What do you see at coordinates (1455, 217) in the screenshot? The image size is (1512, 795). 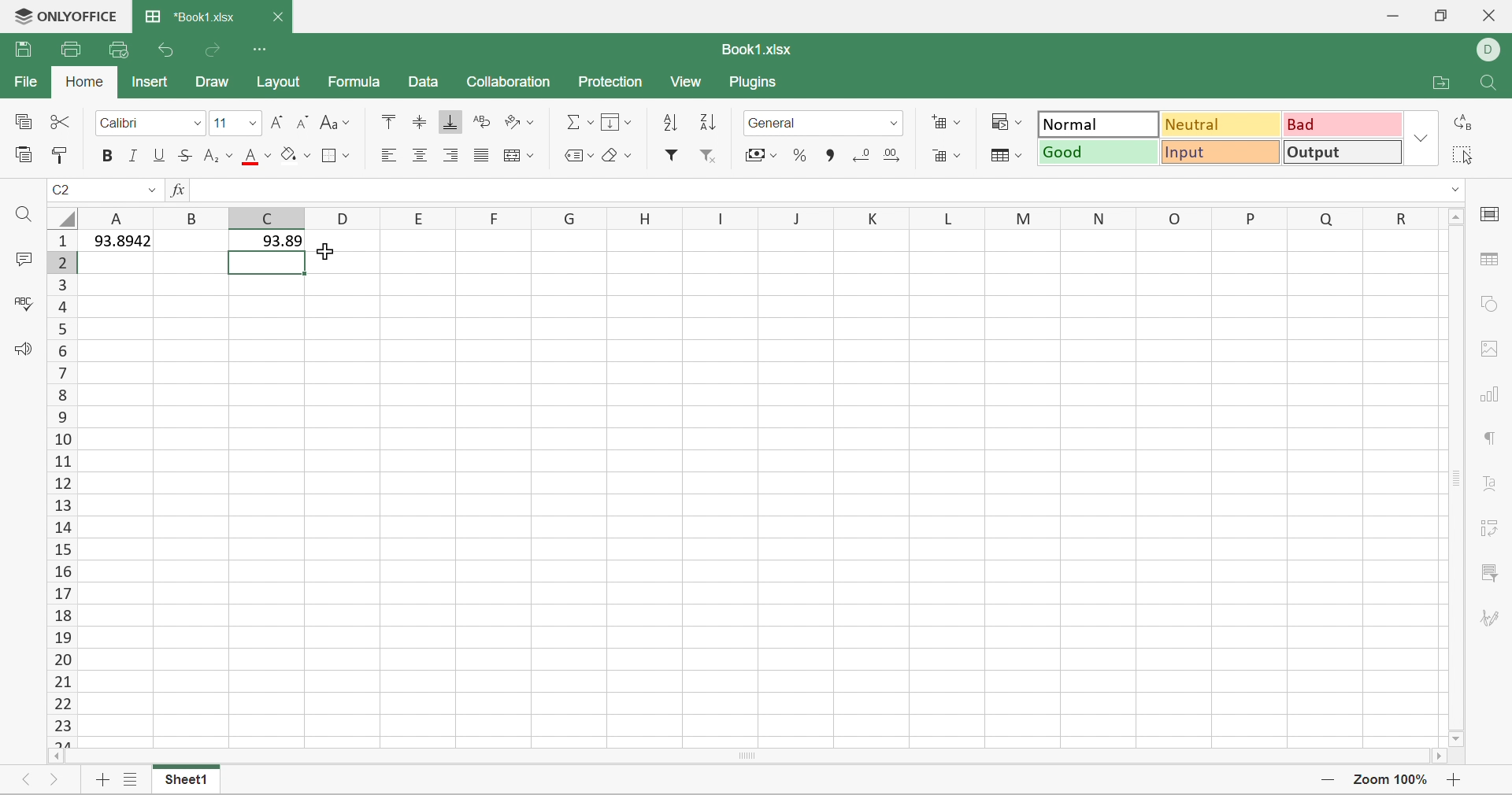 I see `Scroll Up` at bounding box center [1455, 217].